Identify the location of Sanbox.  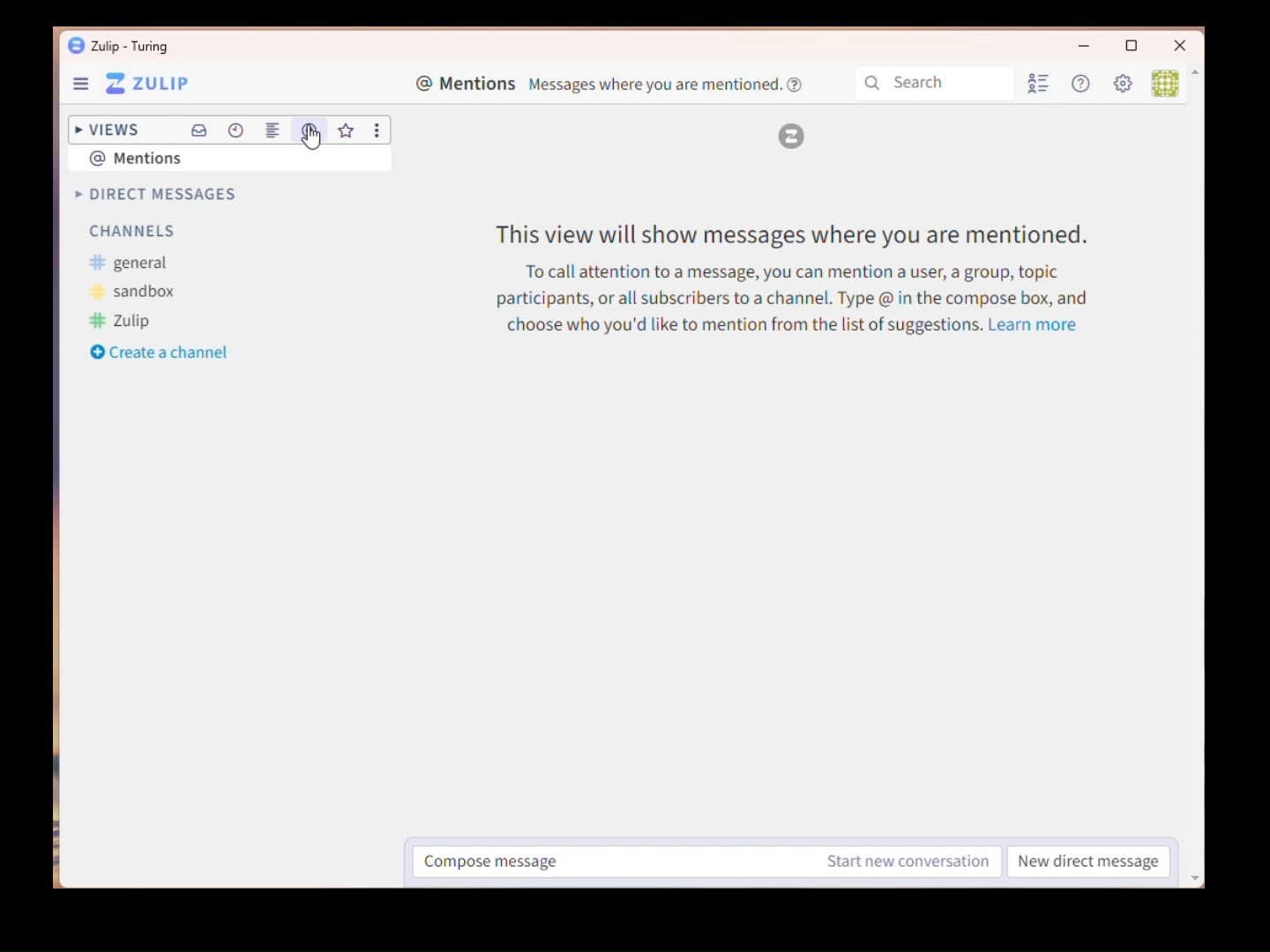
(135, 292).